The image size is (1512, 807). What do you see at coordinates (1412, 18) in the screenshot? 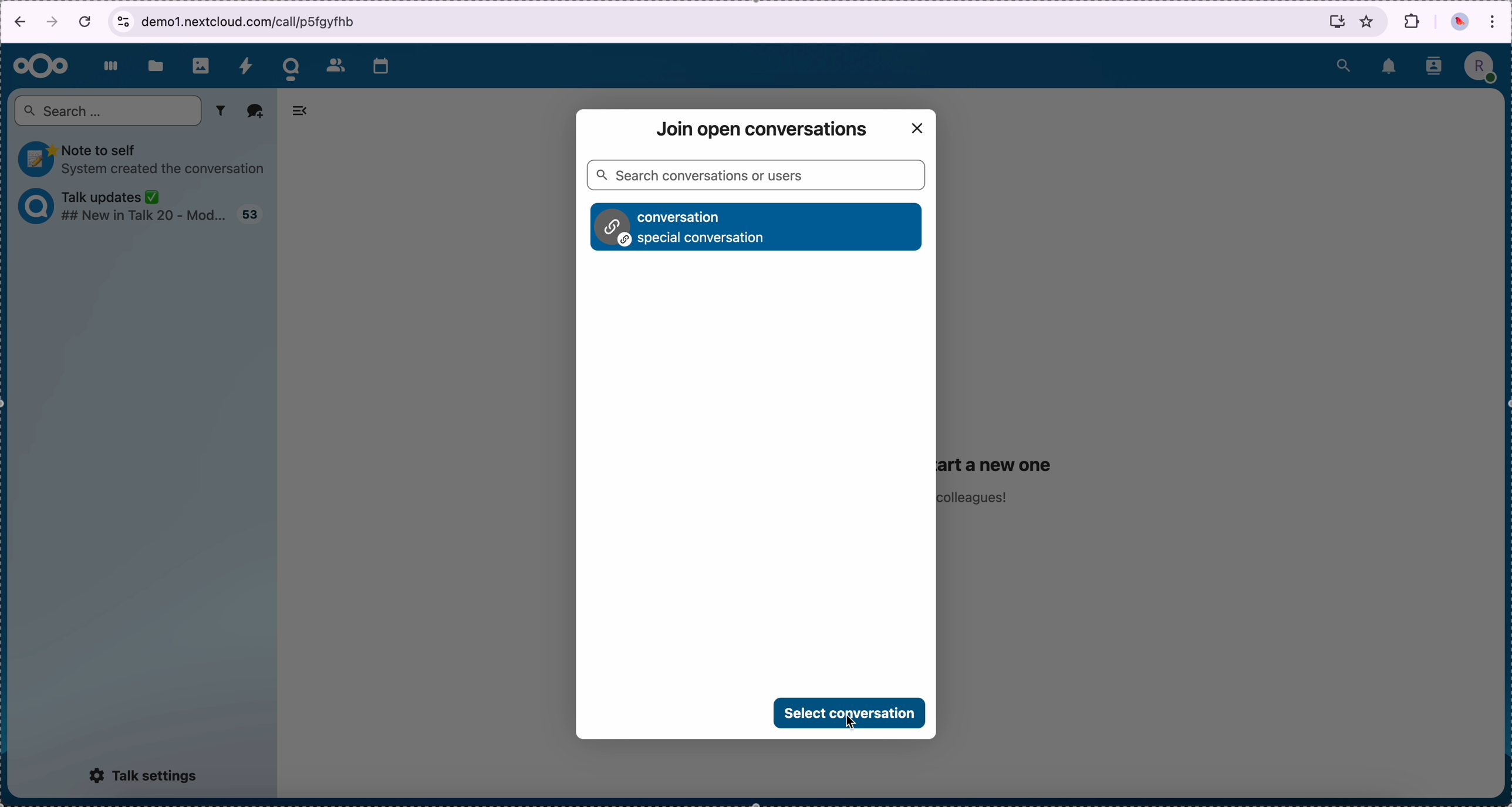
I see `extensions` at bounding box center [1412, 18].